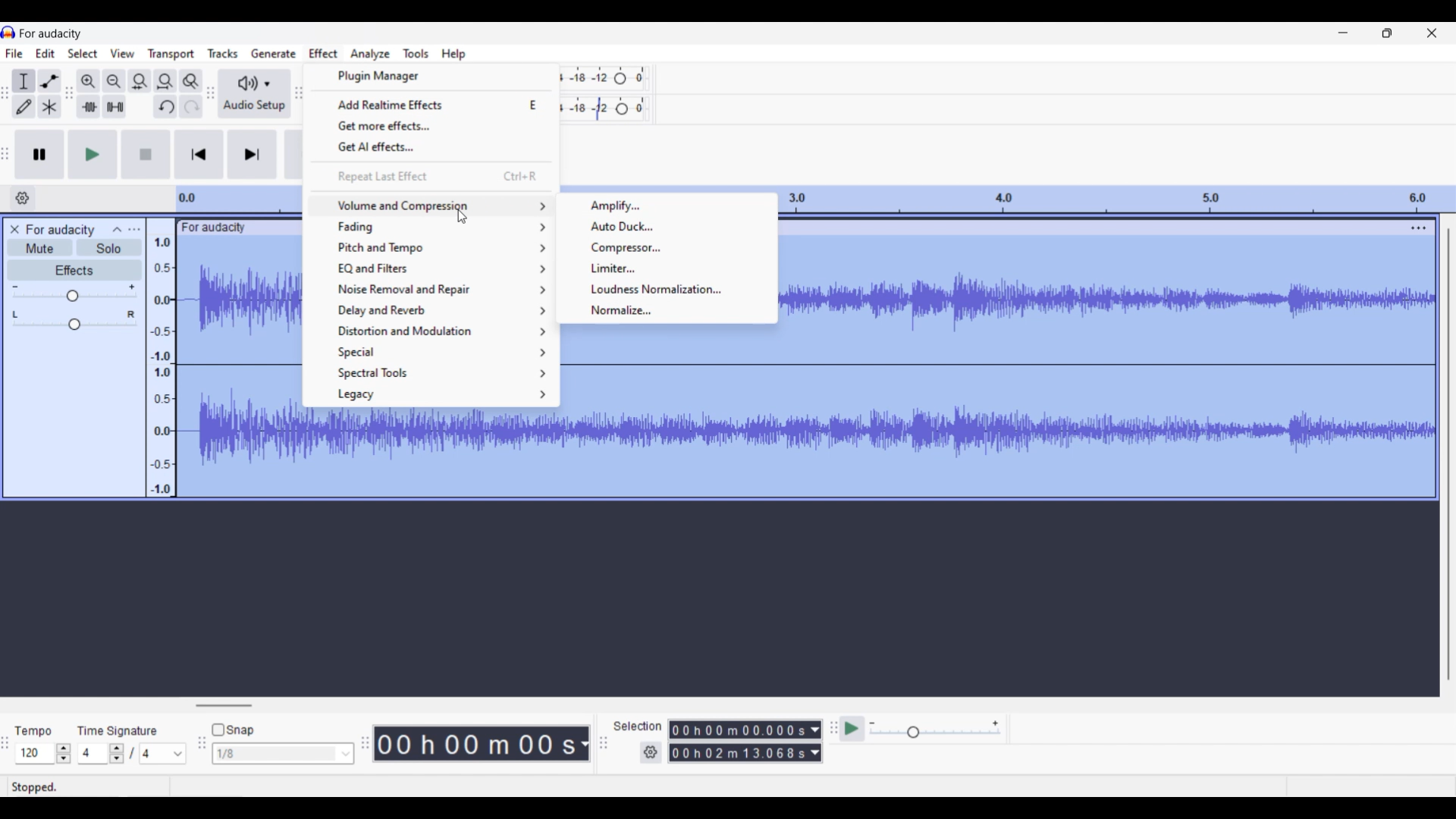 This screenshot has width=1456, height=819. I want to click on 00 h 00 m 00.000 s, so click(738, 742).